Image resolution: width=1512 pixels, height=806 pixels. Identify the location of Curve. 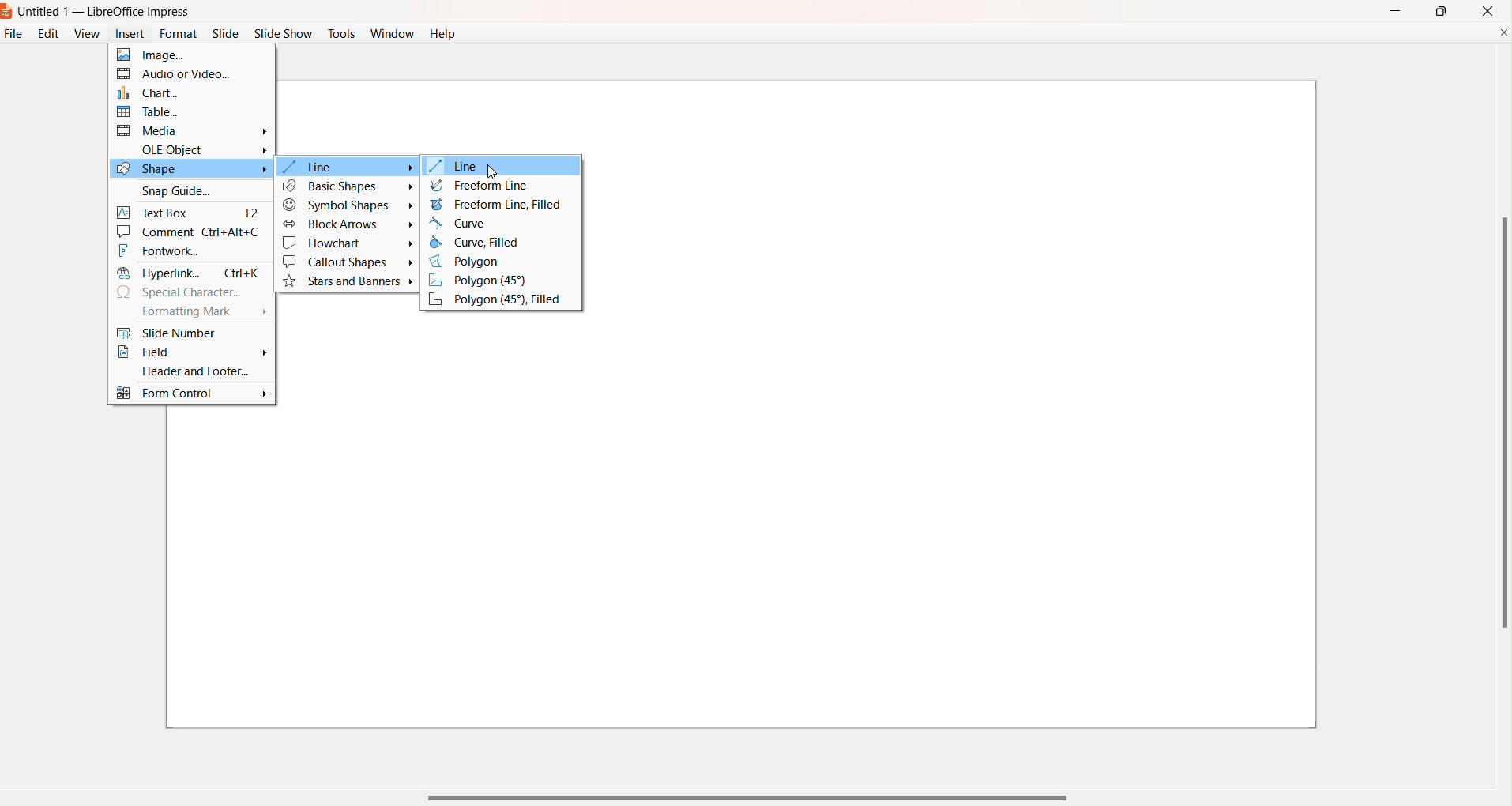
(464, 223).